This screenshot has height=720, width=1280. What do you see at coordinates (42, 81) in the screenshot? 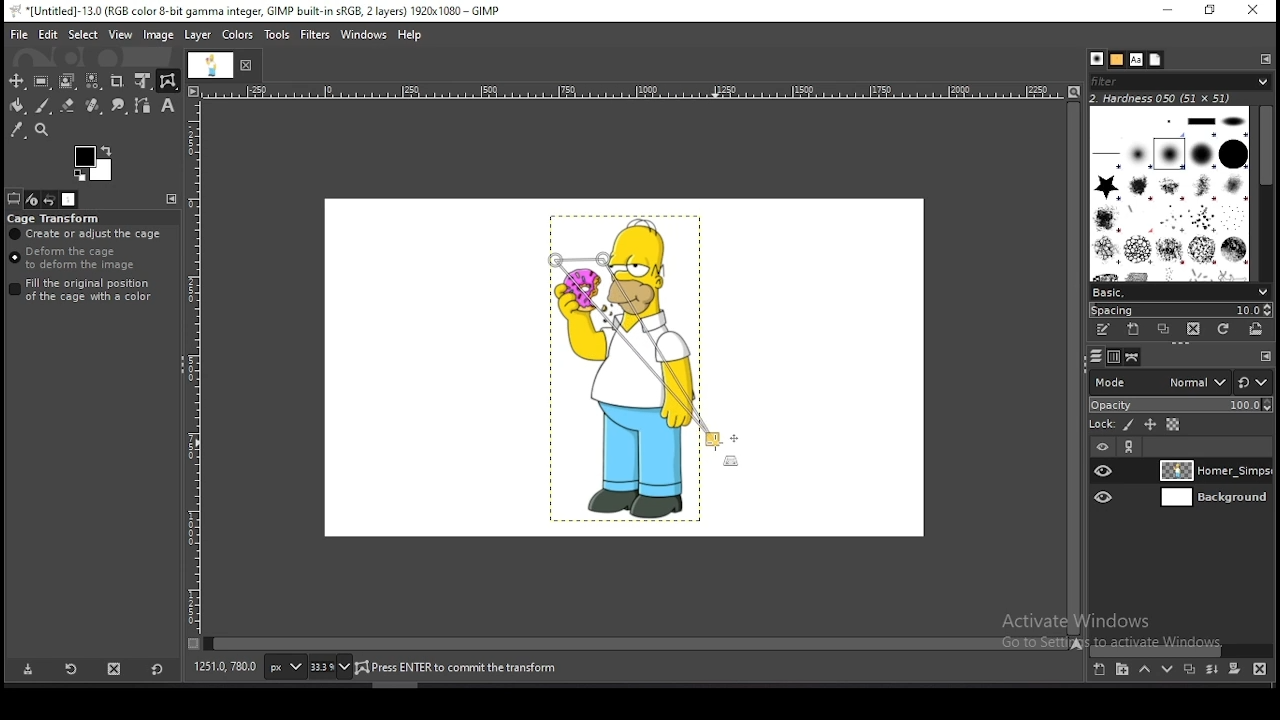
I see `rectangle select tool` at bounding box center [42, 81].